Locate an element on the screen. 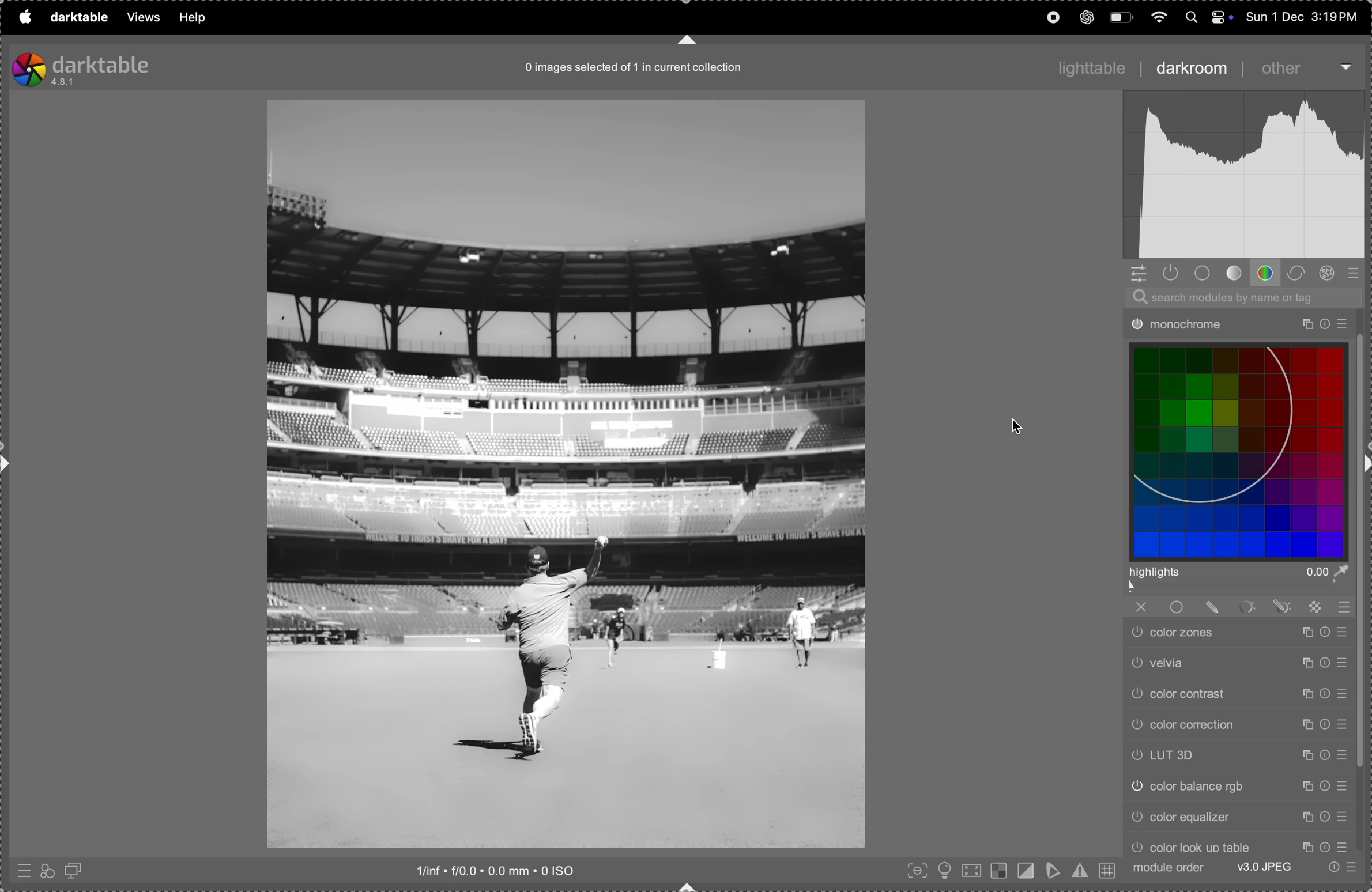 Image resolution: width=1372 pixels, height=892 pixels. full screen is located at coordinates (973, 870).